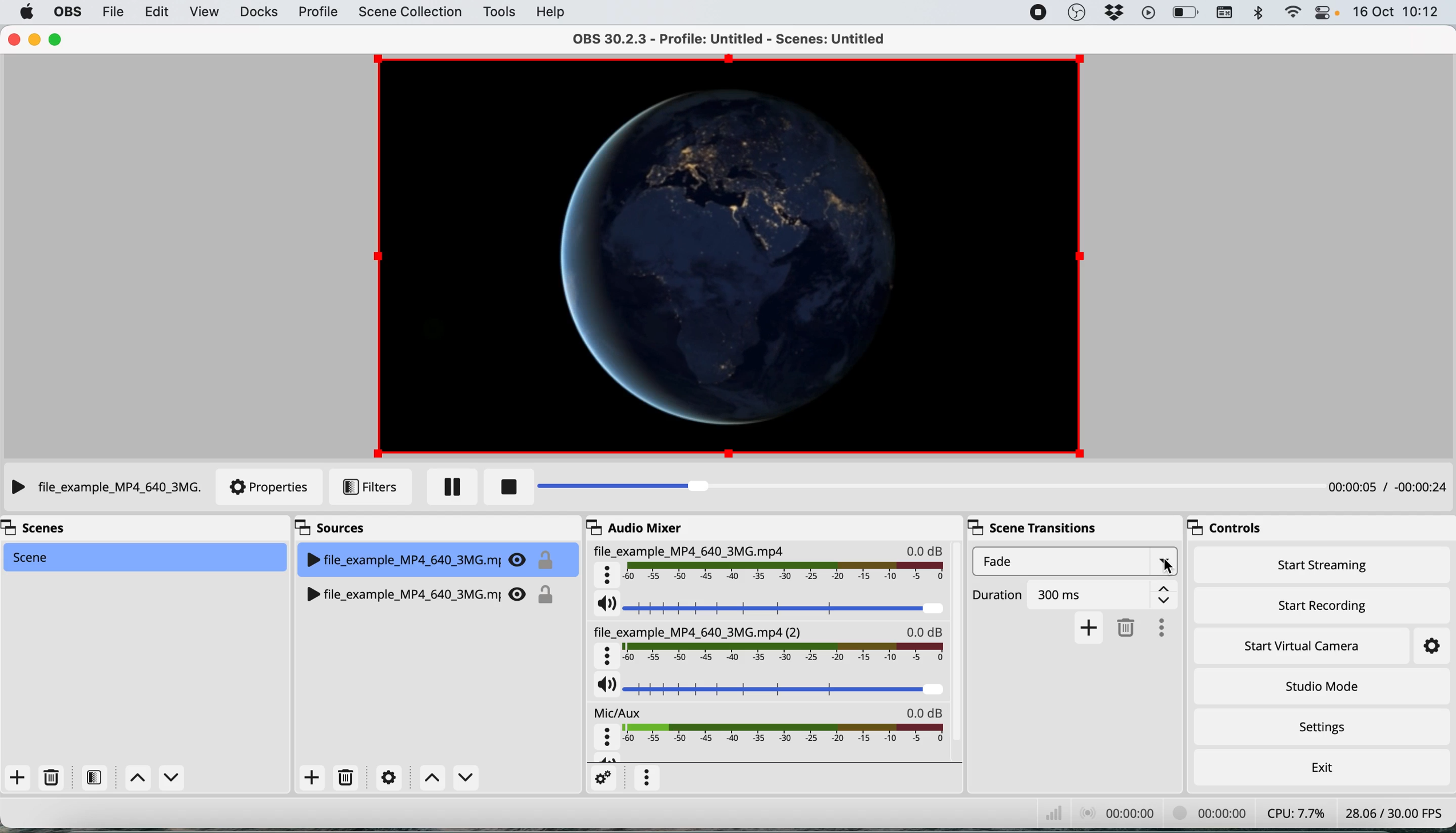 Image resolution: width=1456 pixels, height=833 pixels. I want to click on delete transition, so click(1126, 626).